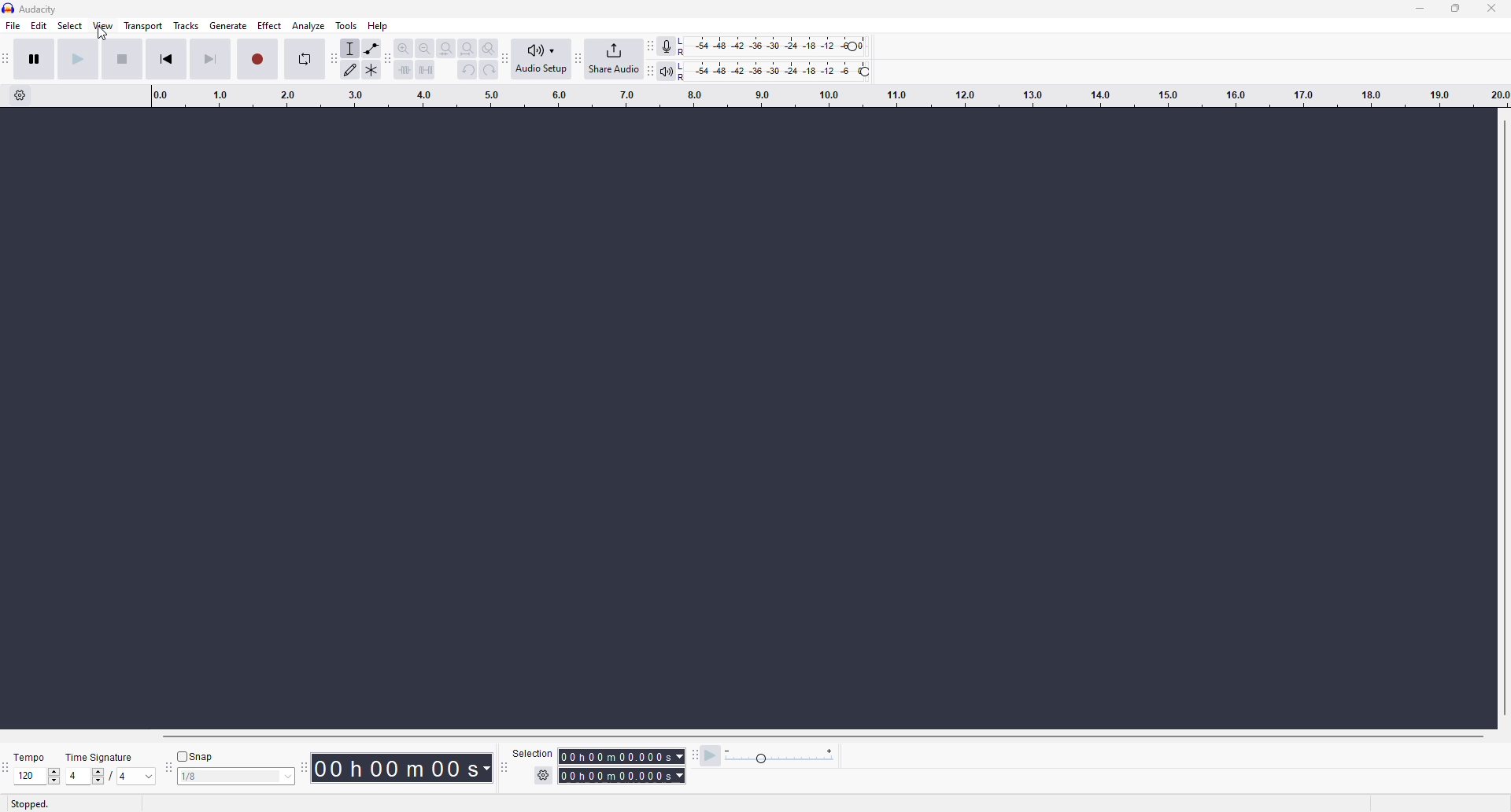 The width and height of the screenshot is (1511, 812). I want to click on values, so click(53, 776).